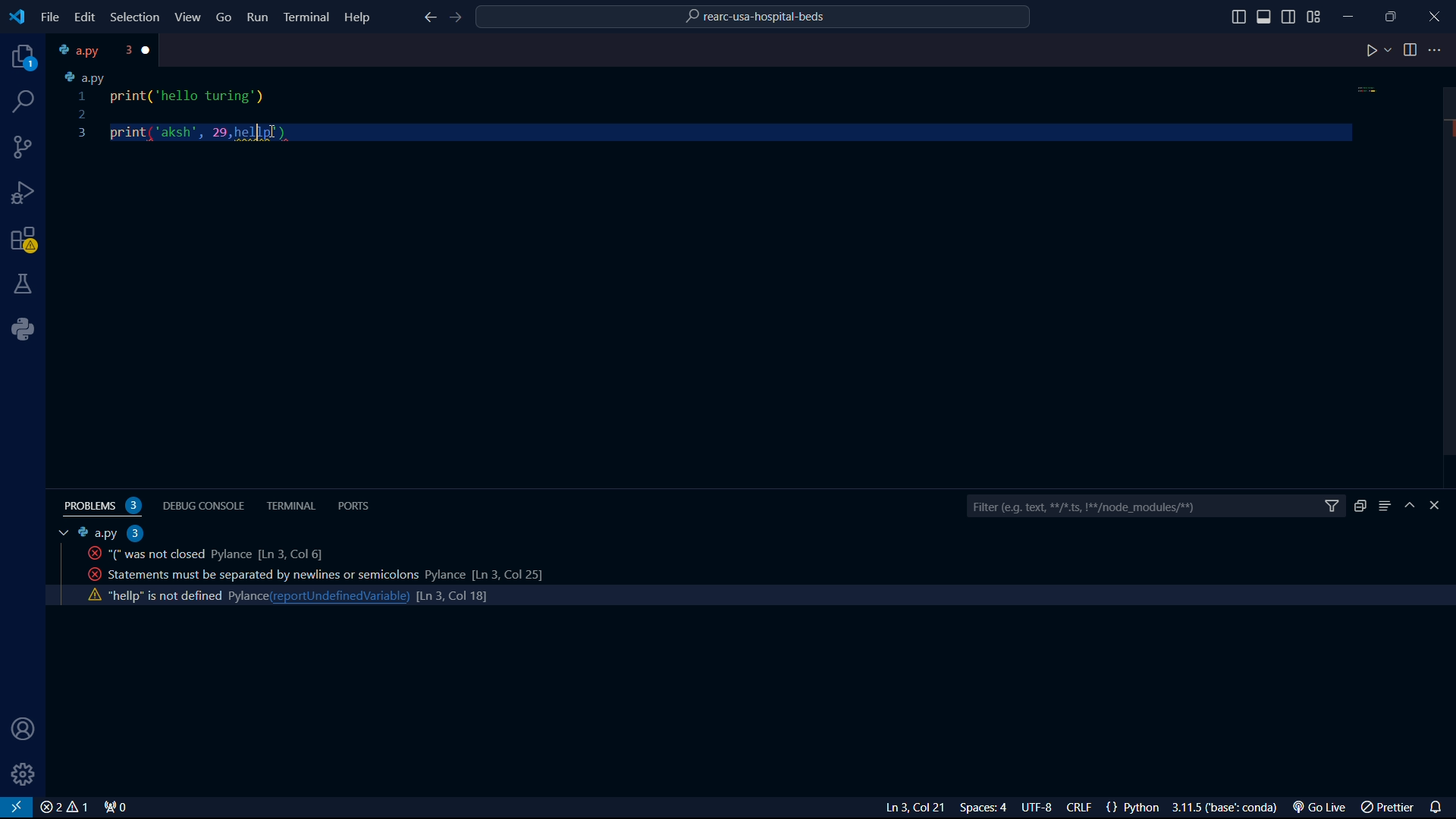 This screenshot has height=819, width=1456. Describe the element at coordinates (755, 19) in the screenshot. I see `rearc-usa-hospital-beds` at that location.